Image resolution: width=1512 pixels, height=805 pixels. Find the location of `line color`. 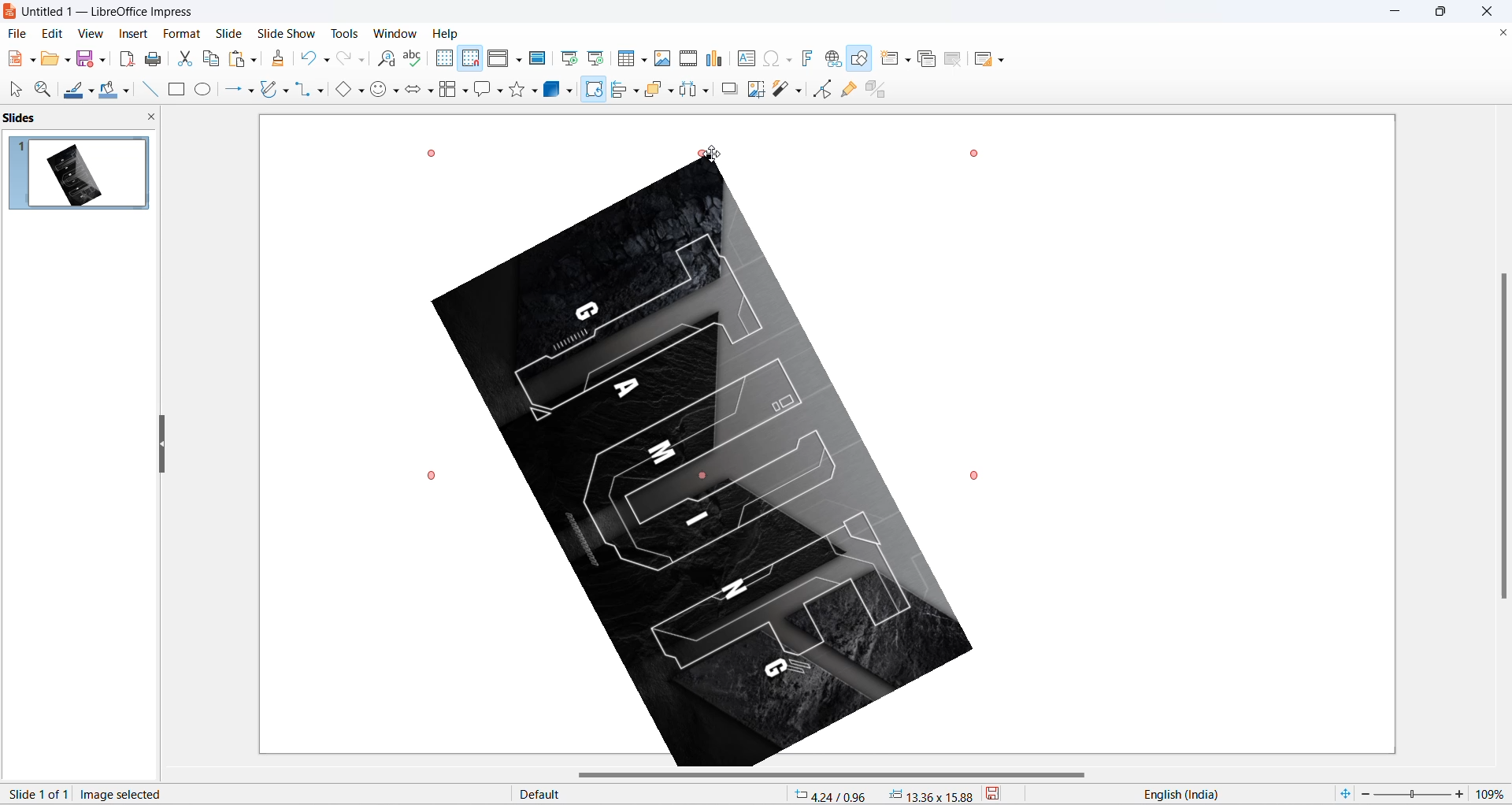

line color is located at coordinates (73, 91).